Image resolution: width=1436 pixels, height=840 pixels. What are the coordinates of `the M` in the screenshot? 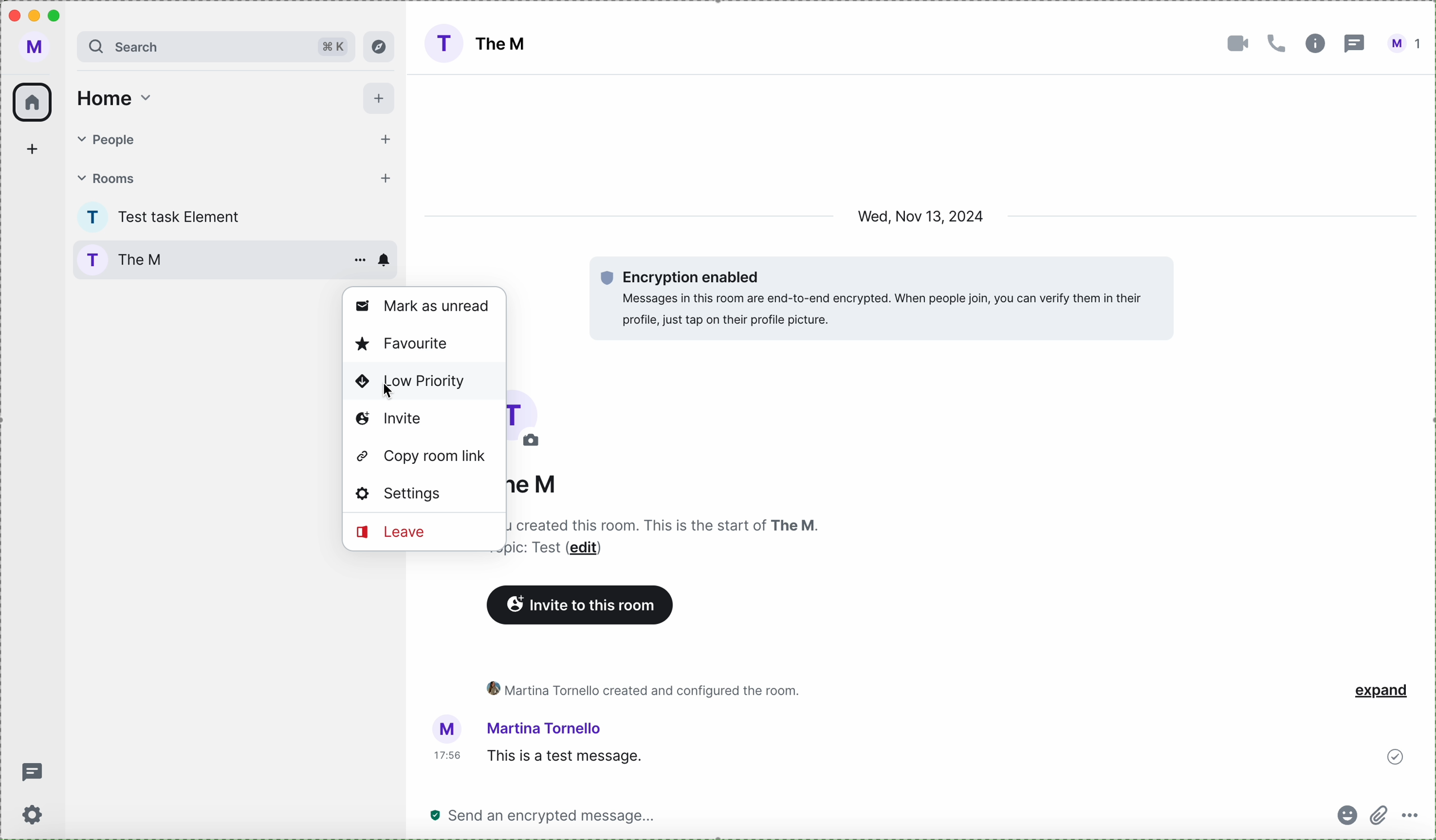 It's located at (535, 487).